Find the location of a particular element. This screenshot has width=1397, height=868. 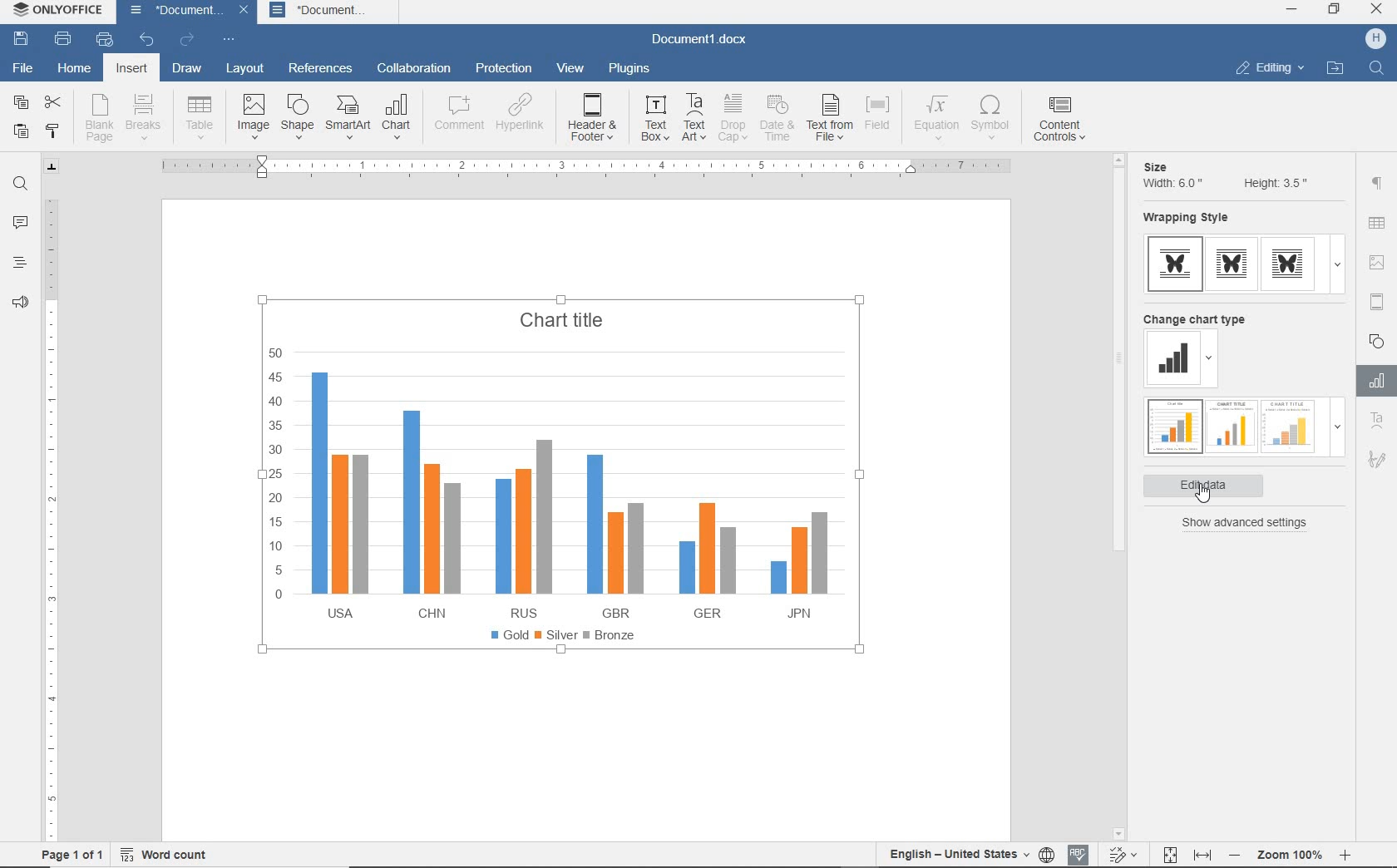

type 1  is located at coordinates (1172, 427).